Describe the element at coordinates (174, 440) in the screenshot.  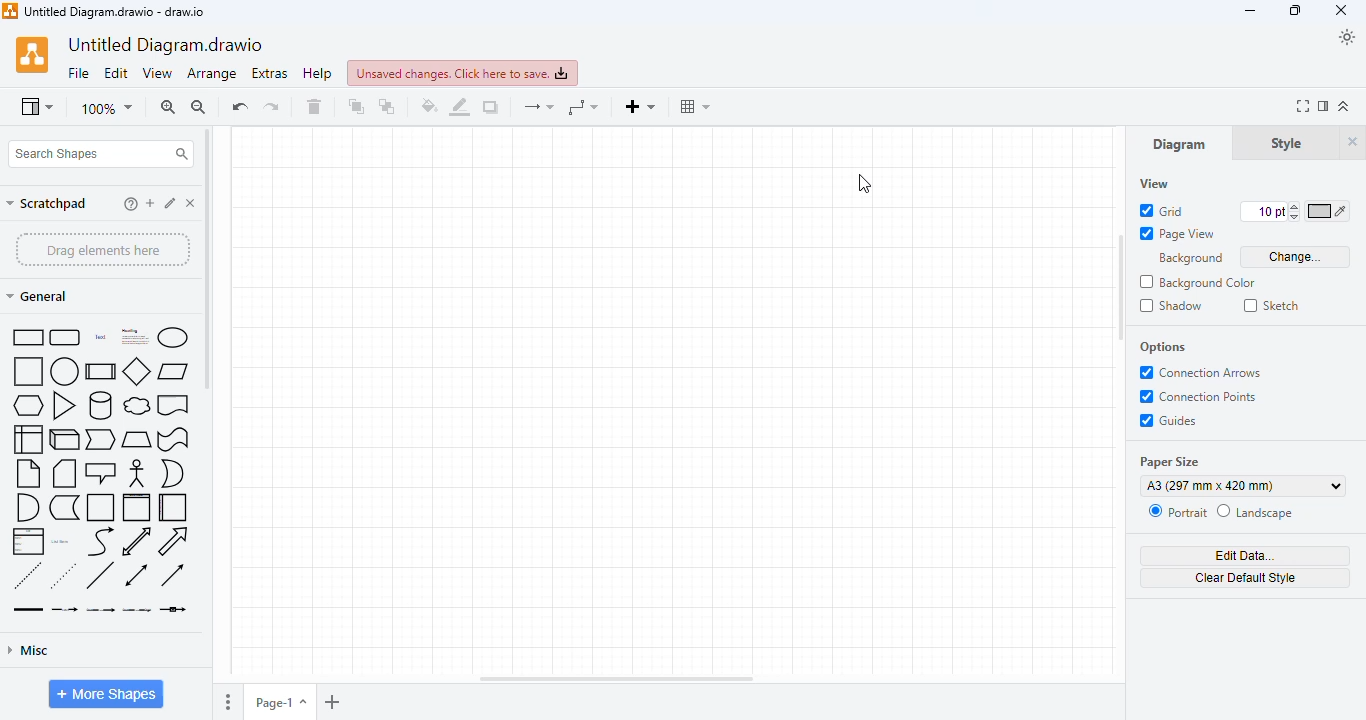
I see `tape` at that location.